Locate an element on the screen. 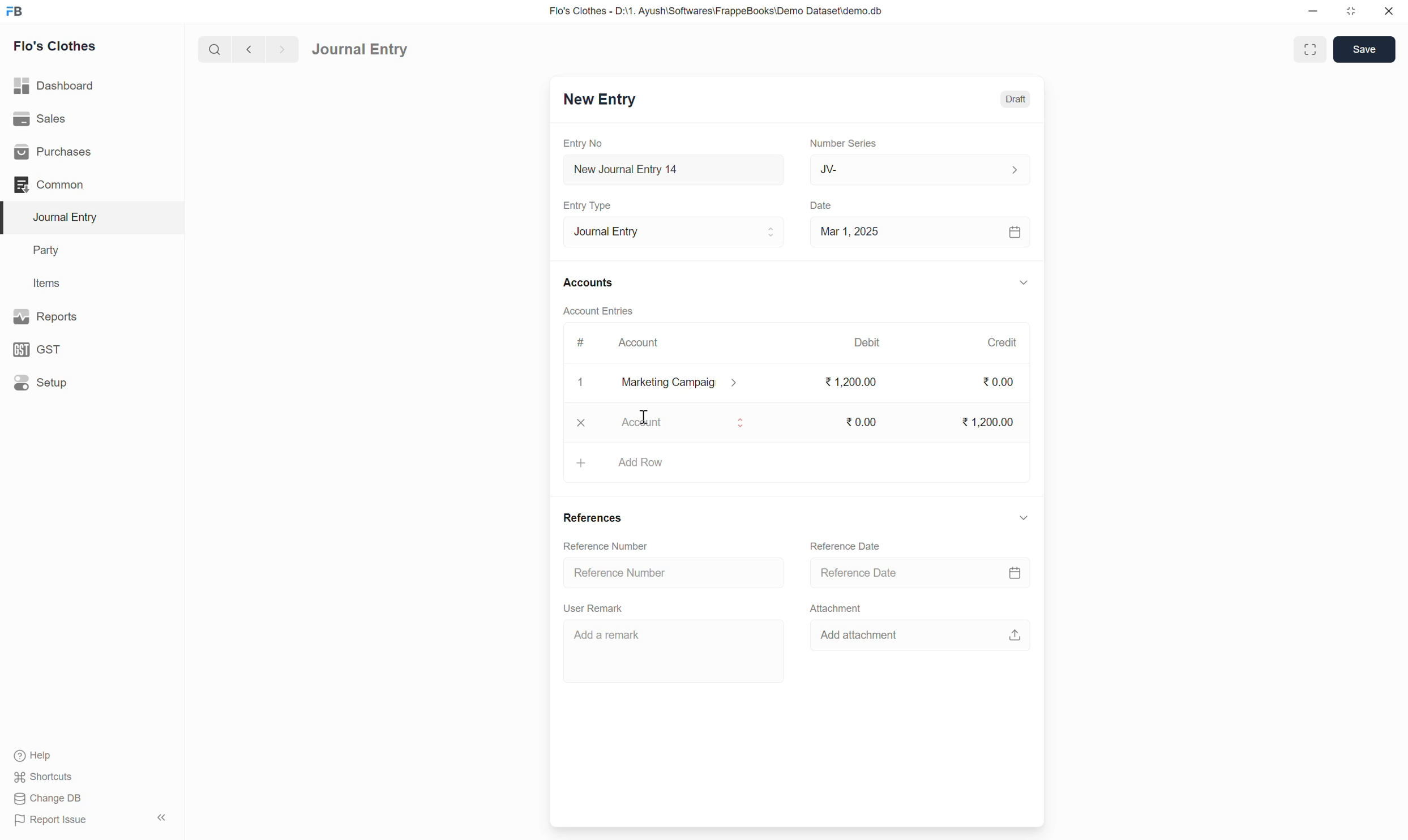 This screenshot has height=840, width=1408. Items is located at coordinates (46, 282).